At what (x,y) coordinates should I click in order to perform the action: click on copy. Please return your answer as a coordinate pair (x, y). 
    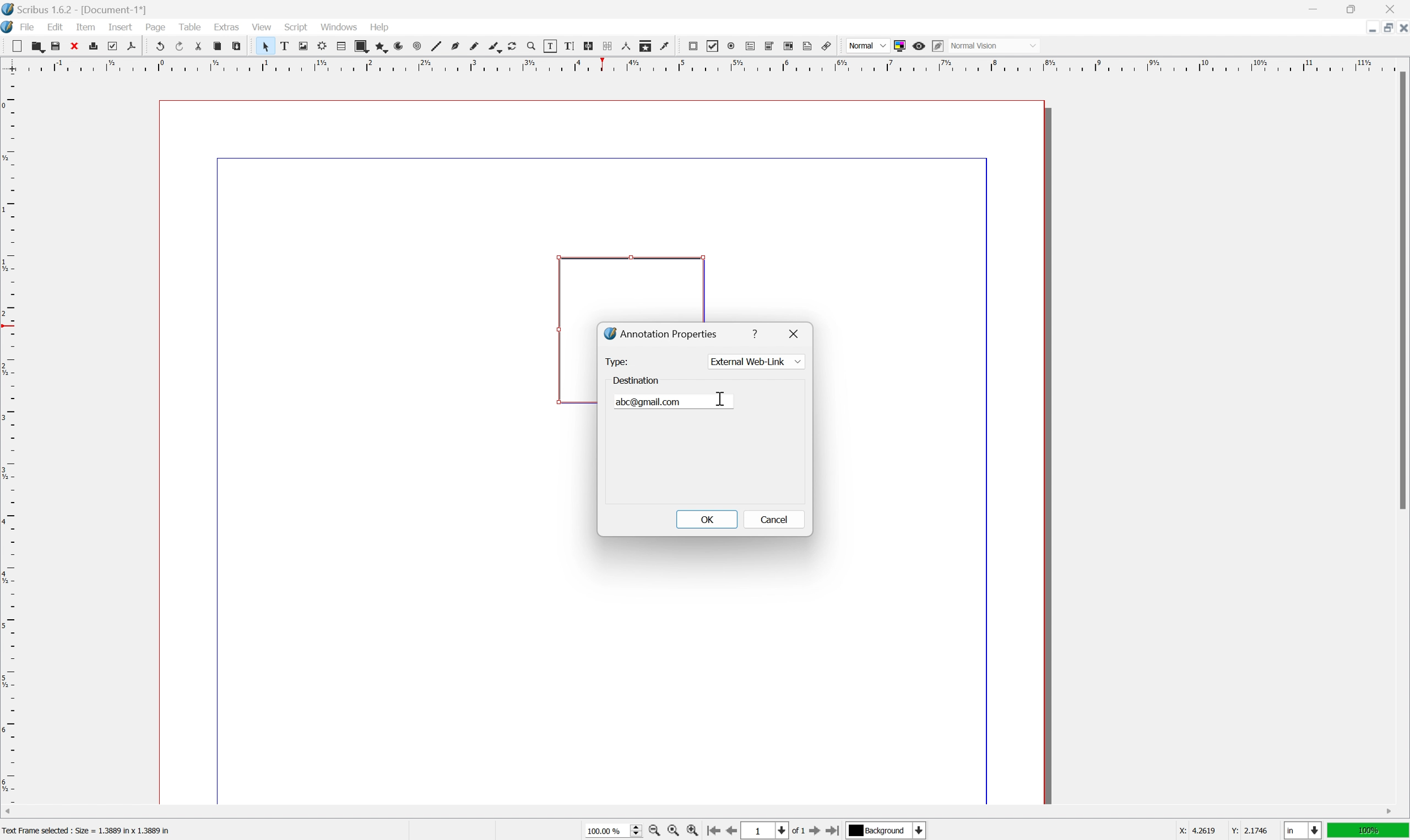
    Looking at the image, I should click on (217, 46).